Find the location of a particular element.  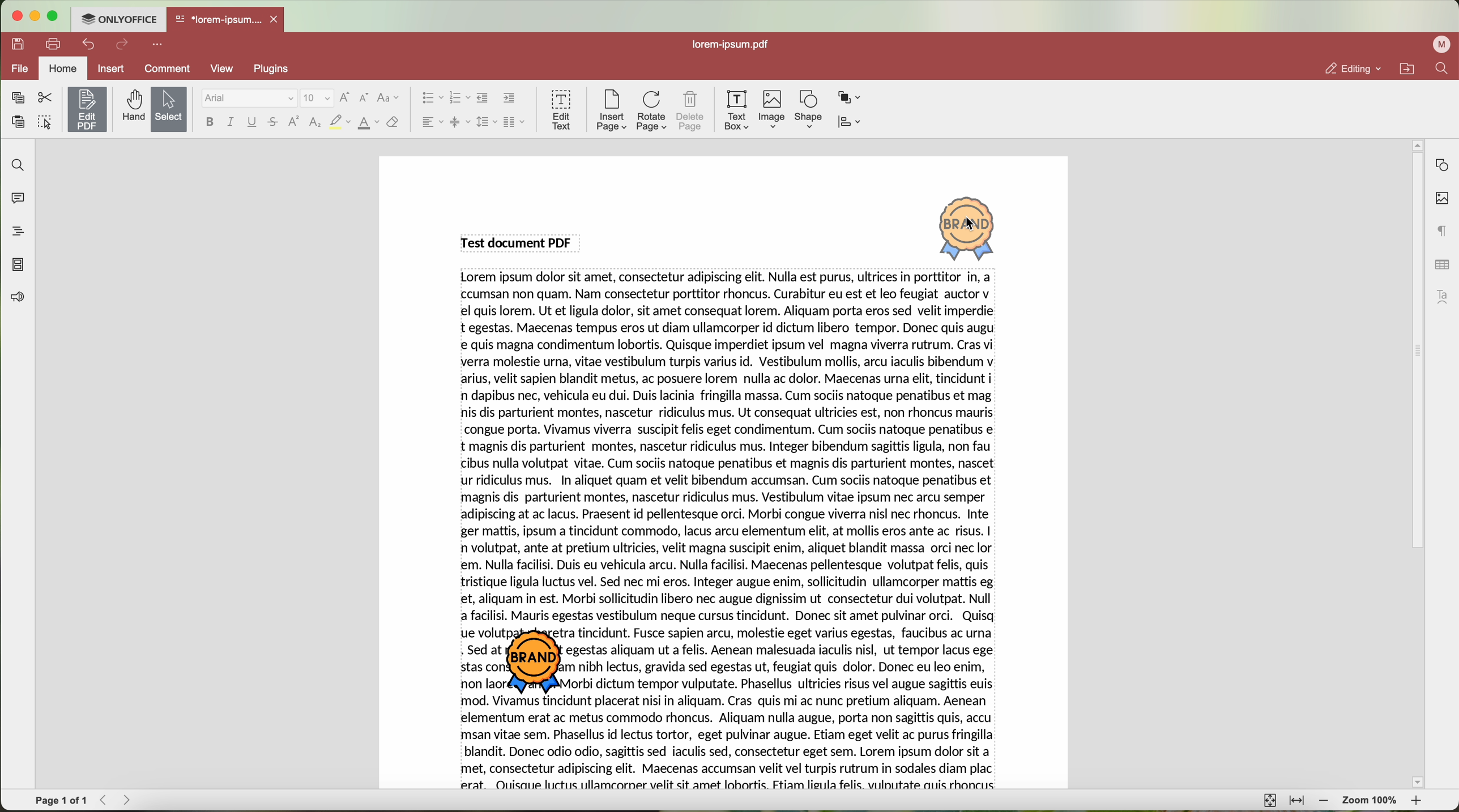

view is located at coordinates (226, 69).